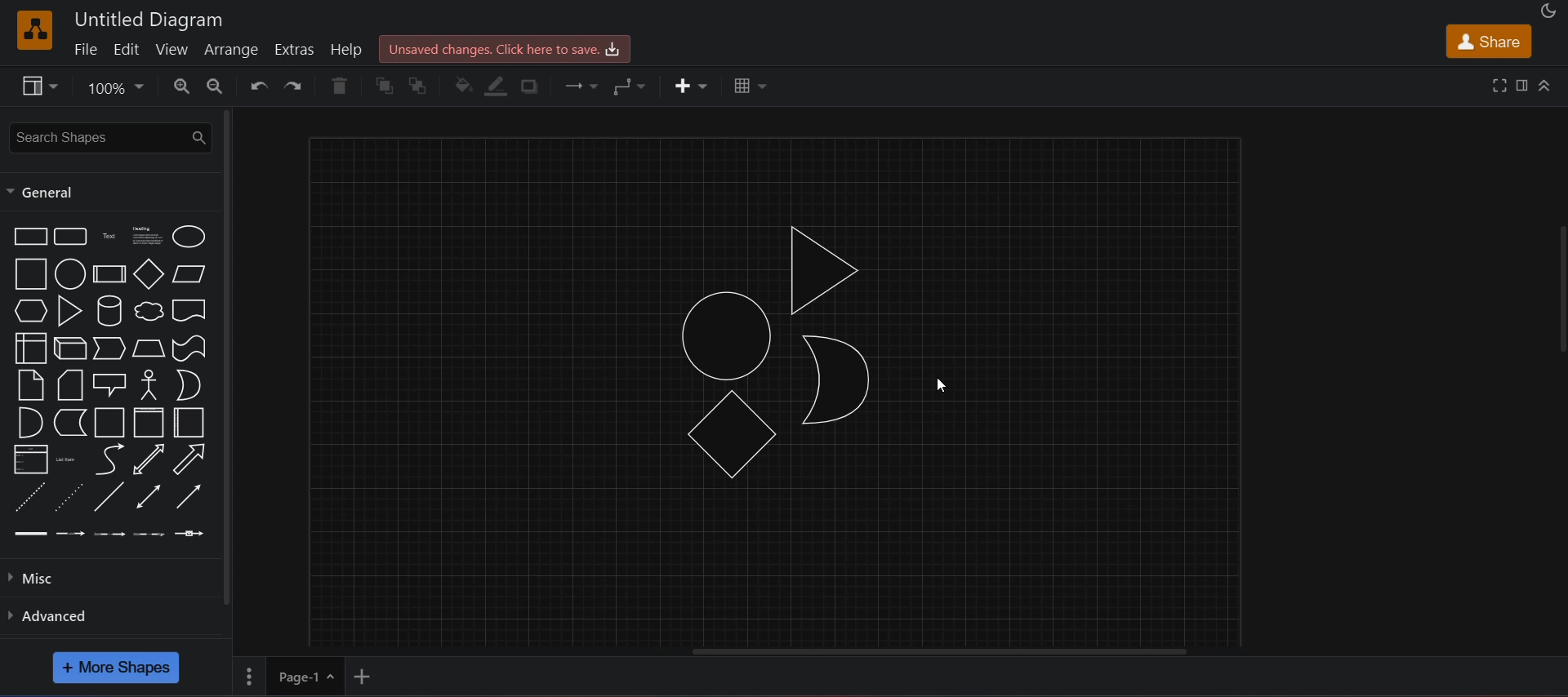 The height and width of the screenshot is (697, 1568). I want to click on bidirectional arrow, so click(150, 459).